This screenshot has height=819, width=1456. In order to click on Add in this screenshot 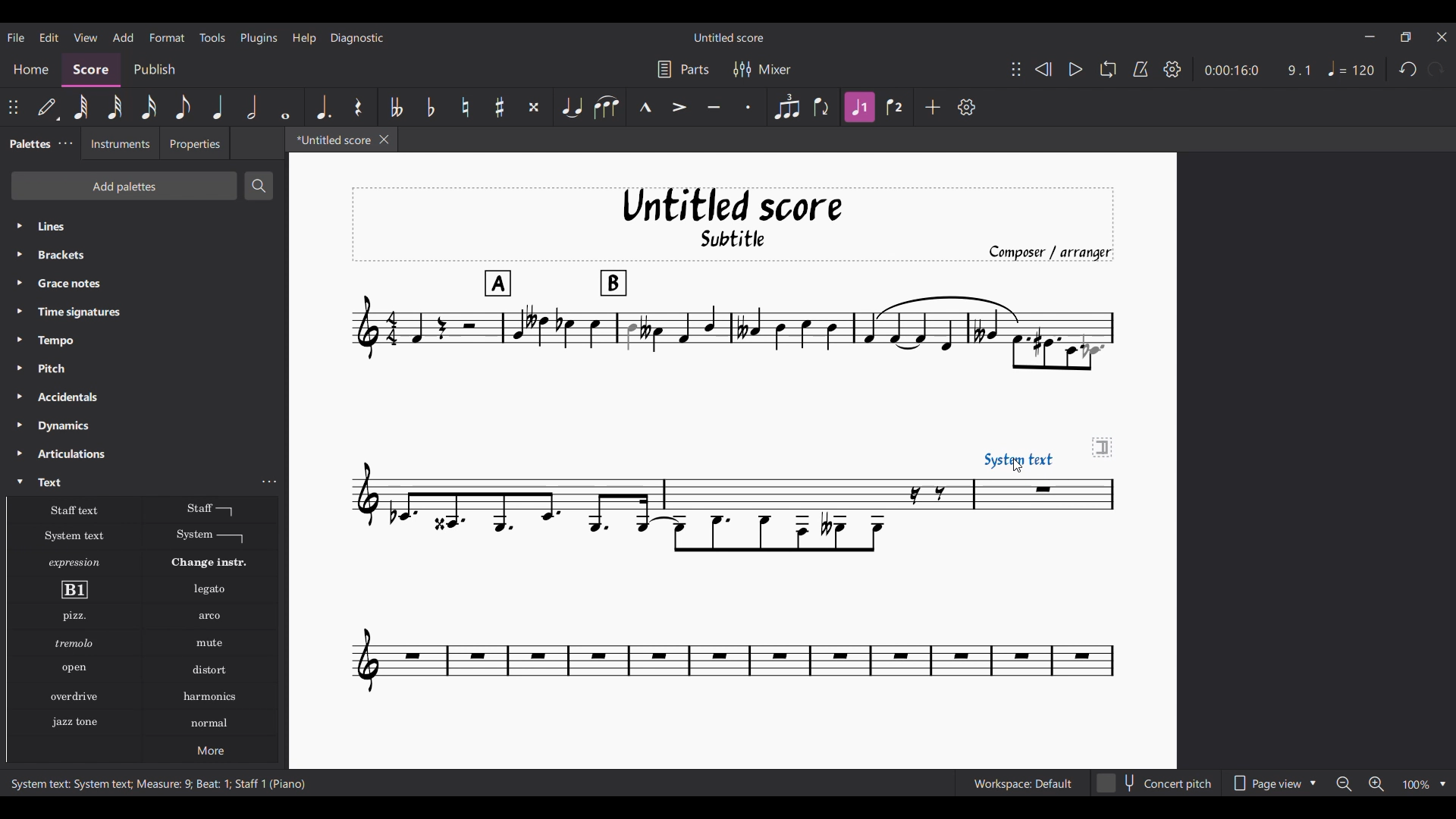, I will do `click(932, 107)`.